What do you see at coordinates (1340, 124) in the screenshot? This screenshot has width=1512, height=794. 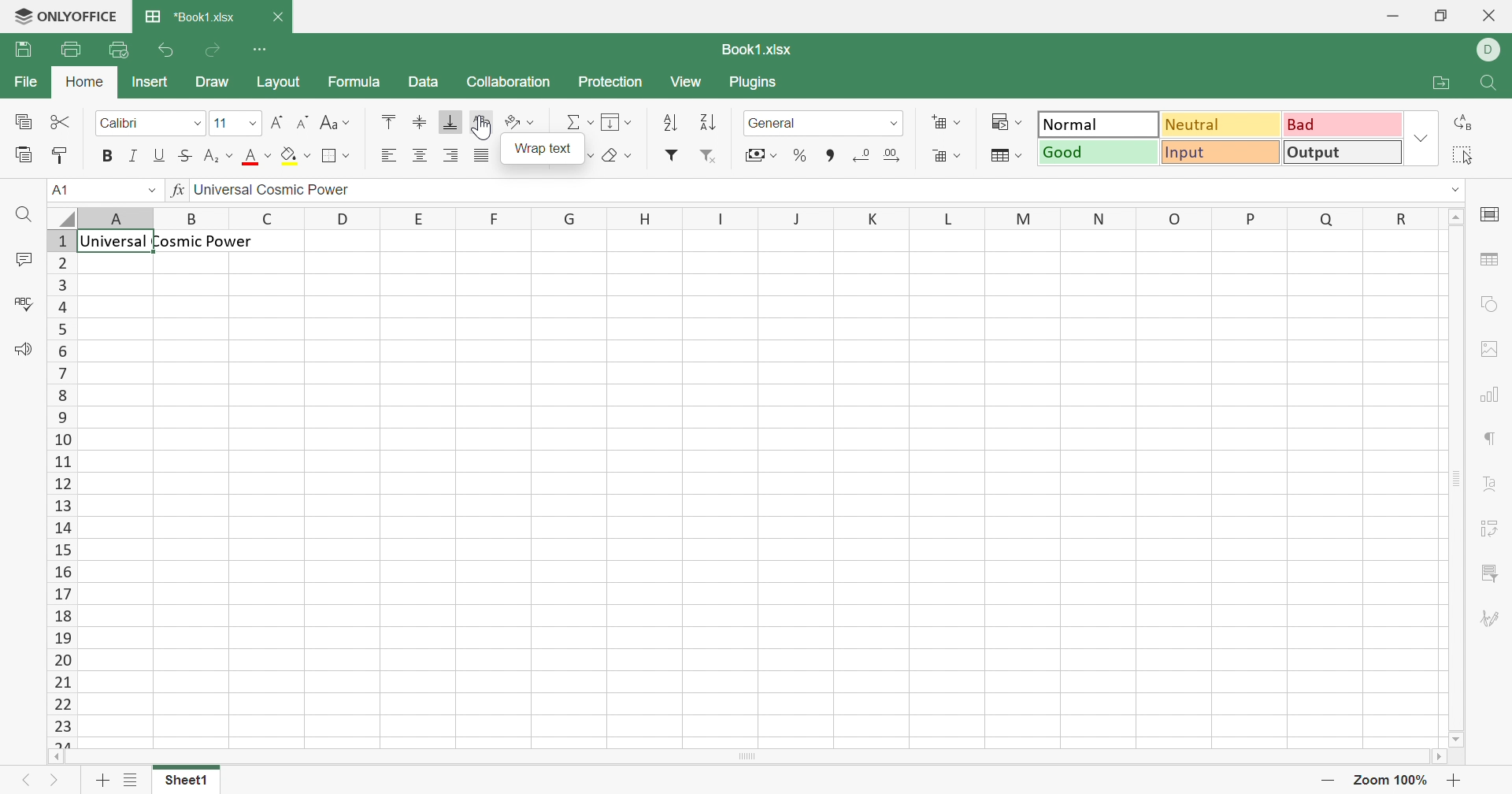 I see `Bad` at bounding box center [1340, 124].